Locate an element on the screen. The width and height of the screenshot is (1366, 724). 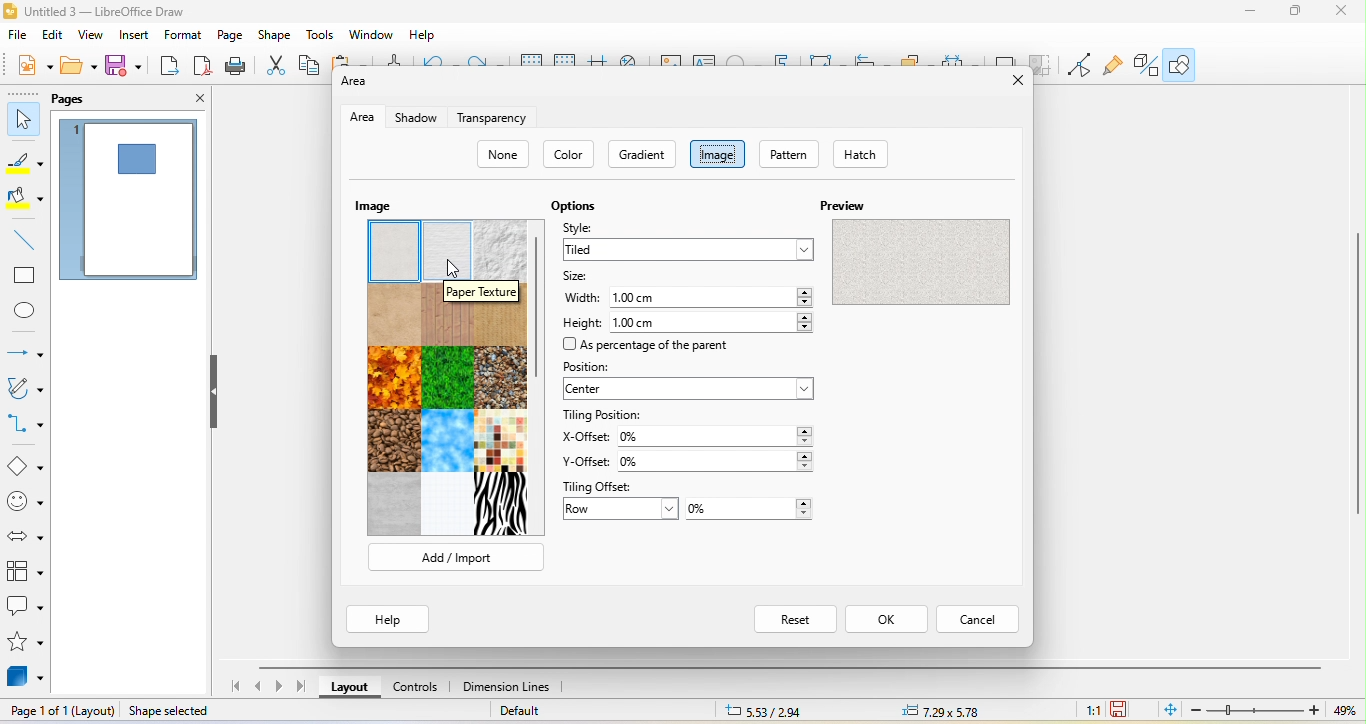
since the last save is located at coordinates (1124, 711).